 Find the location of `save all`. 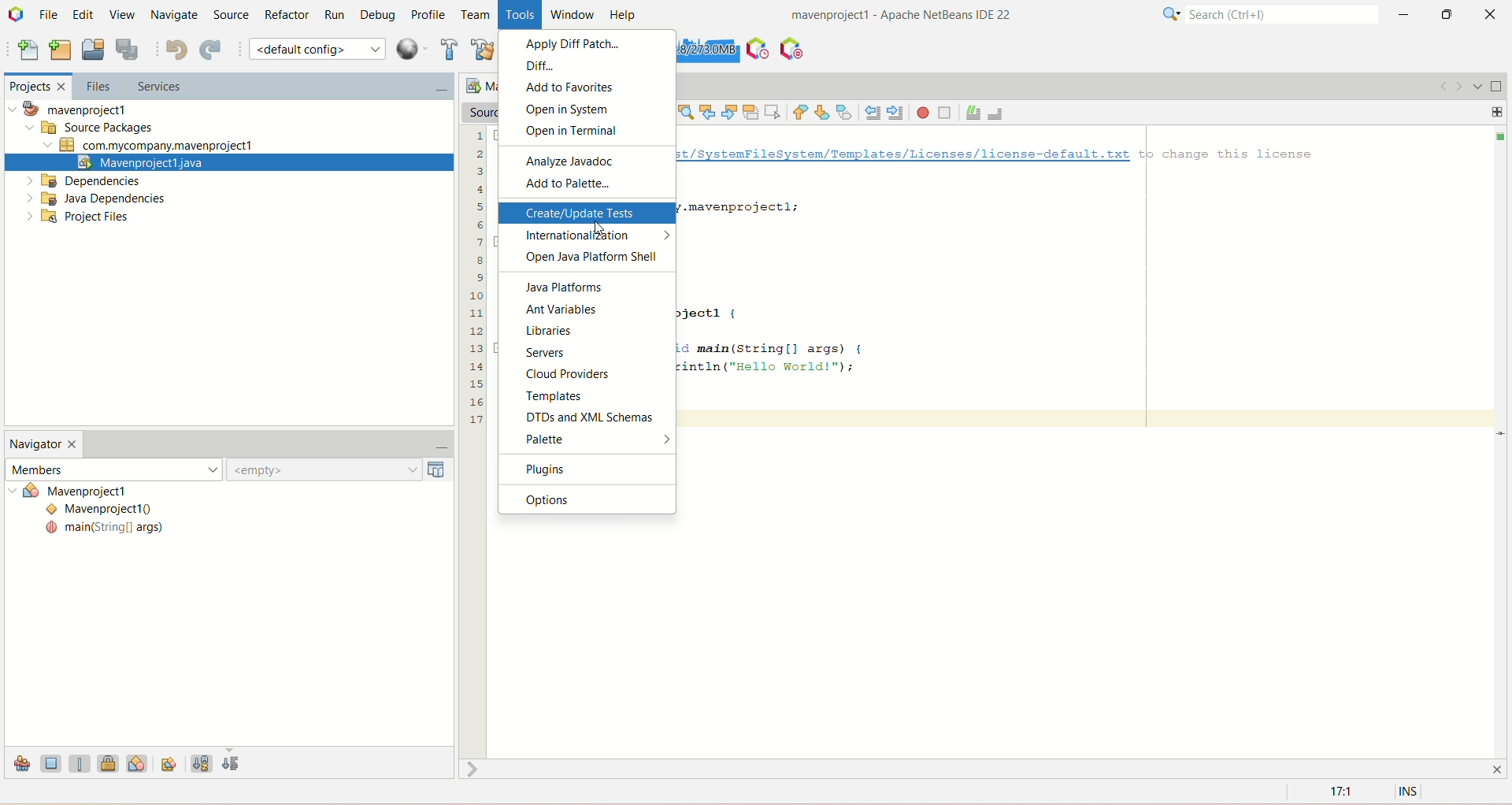

save all is located at coordinates (127, 50).